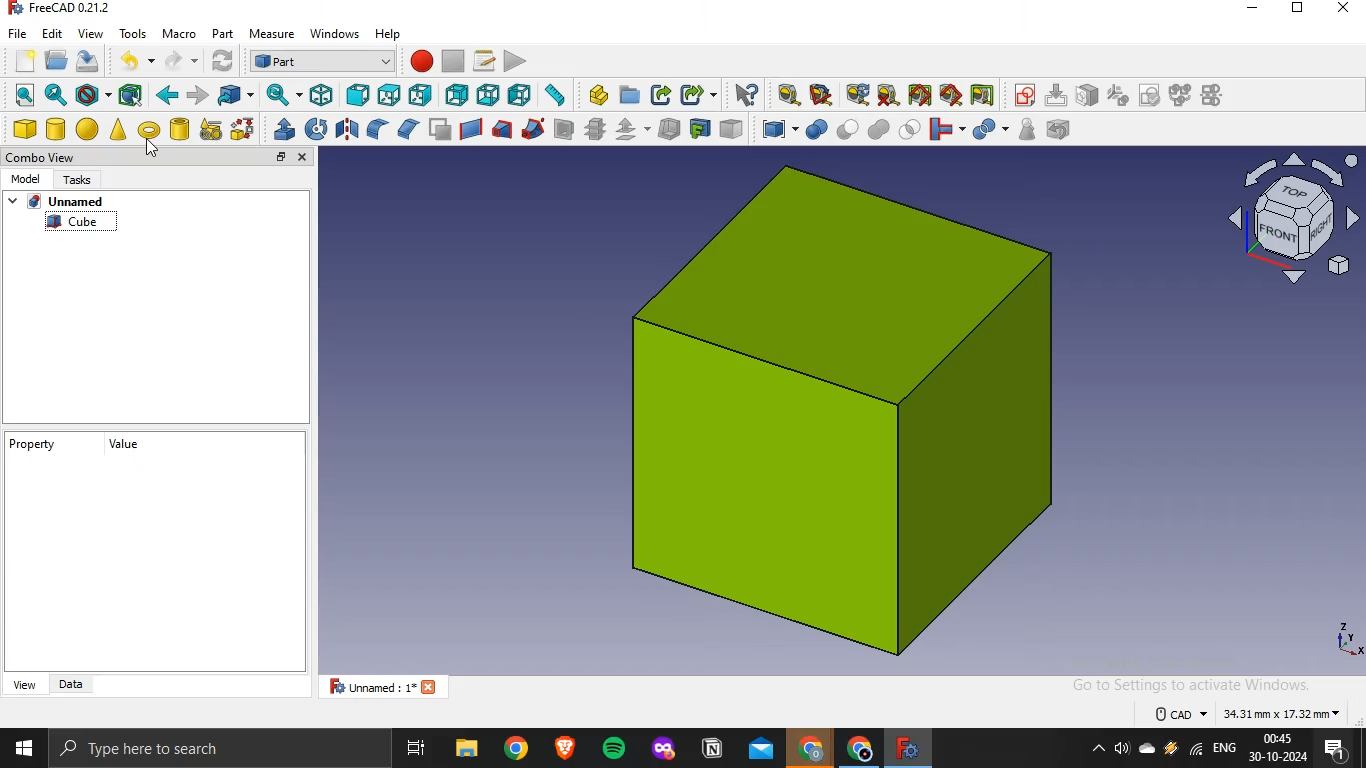  Describe the element at coordinates (322, 61) in the screenshot. I see `workbench` at that location.